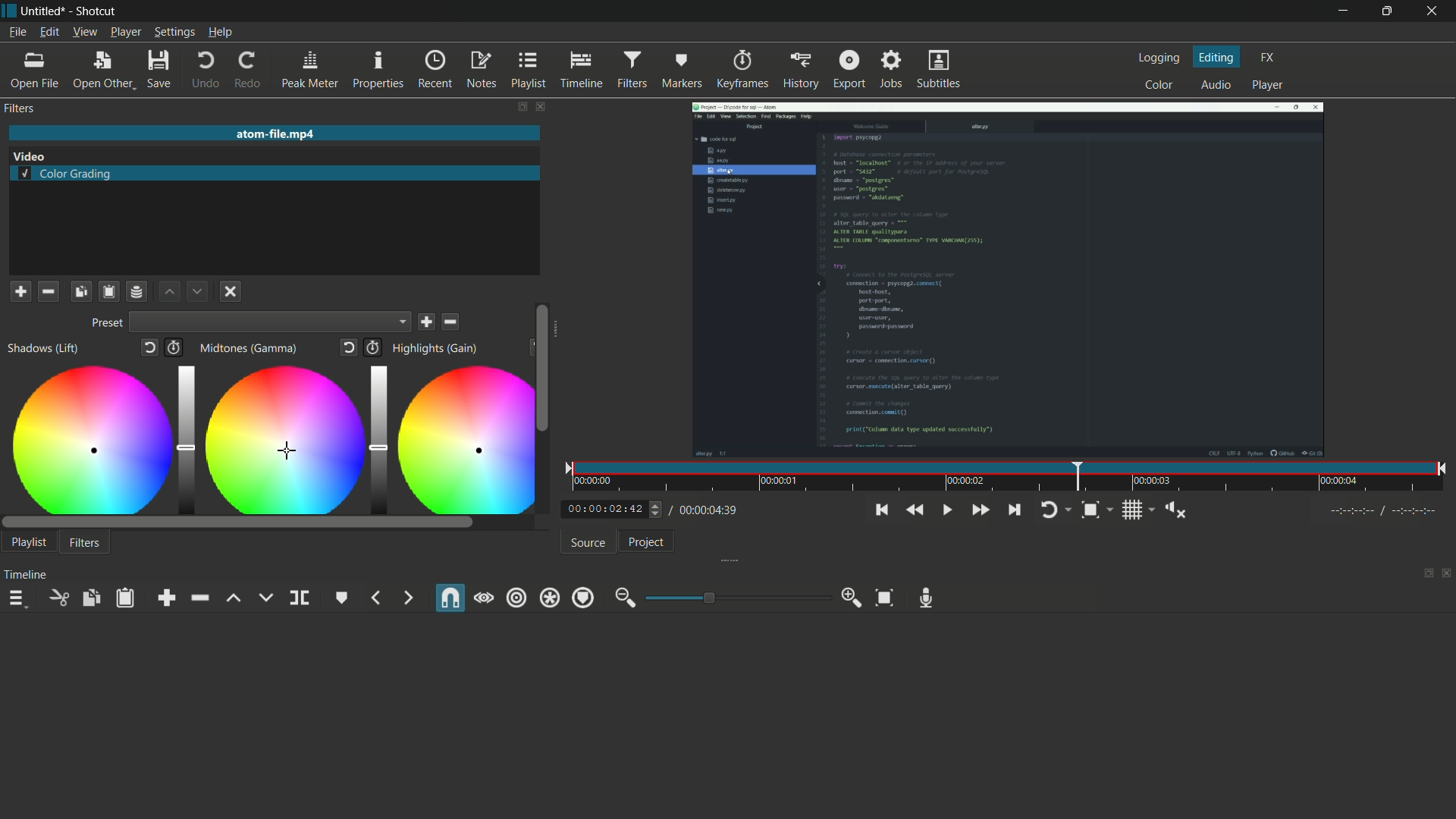 The width and height of the screenshot is (1456, 819). What do you see at coordinates (1096, 510) in the screenshot?
I see `zoom timeline to fit` at bounding box center [1096, 510].